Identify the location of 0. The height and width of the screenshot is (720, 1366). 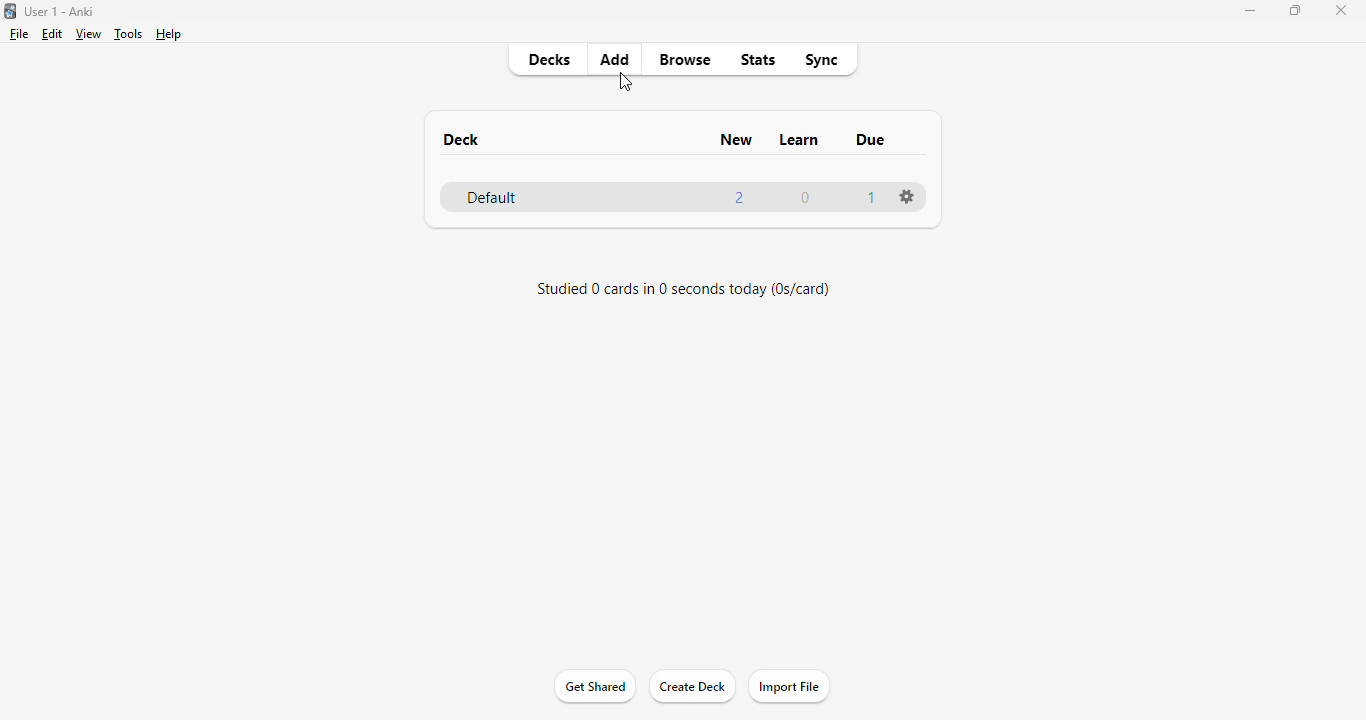
(804, 199).